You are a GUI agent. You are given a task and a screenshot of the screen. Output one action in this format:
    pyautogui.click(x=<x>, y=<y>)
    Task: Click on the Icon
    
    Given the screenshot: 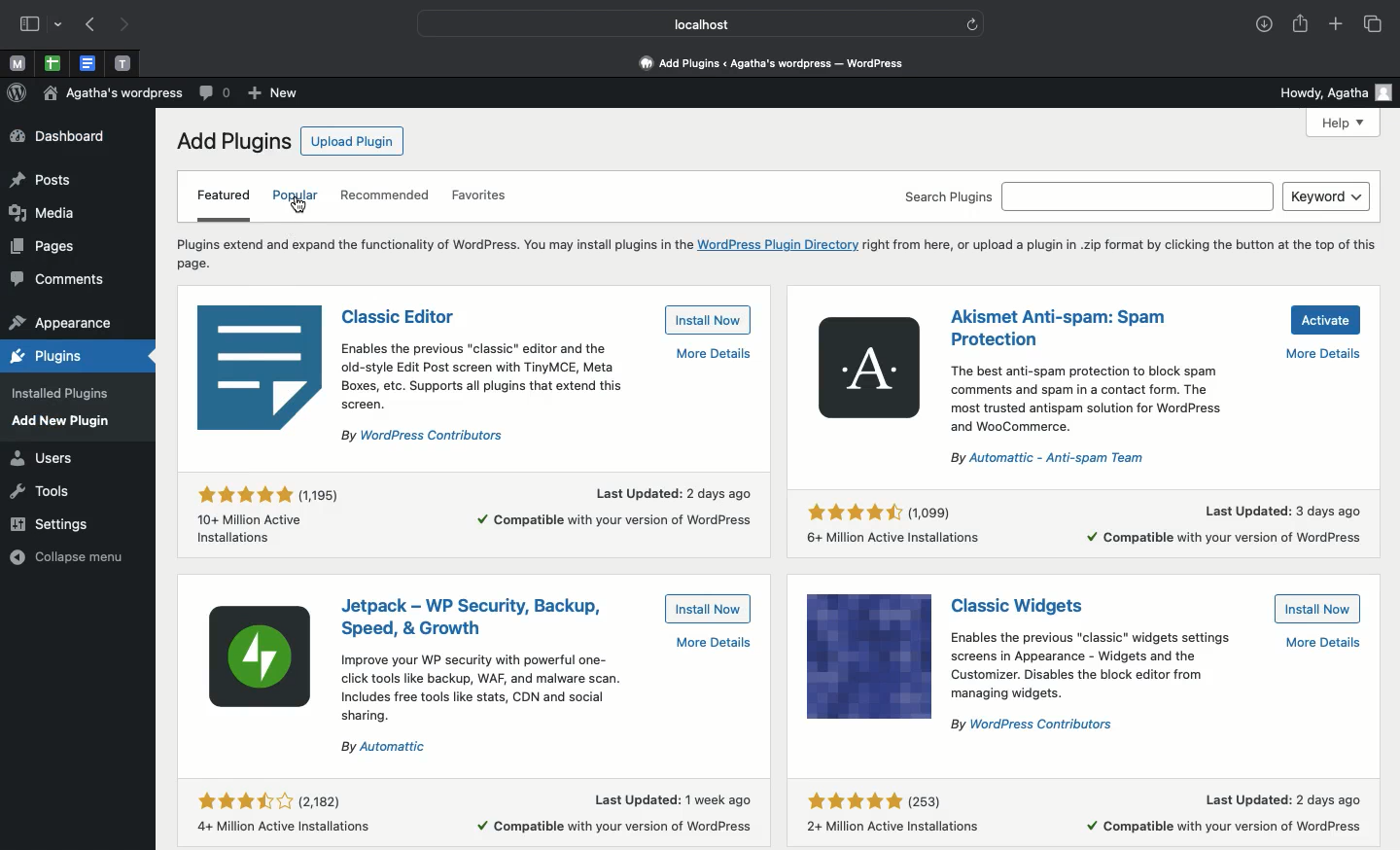 What is the action you would take?
    pyautogui.click(x=261, y=657)
    